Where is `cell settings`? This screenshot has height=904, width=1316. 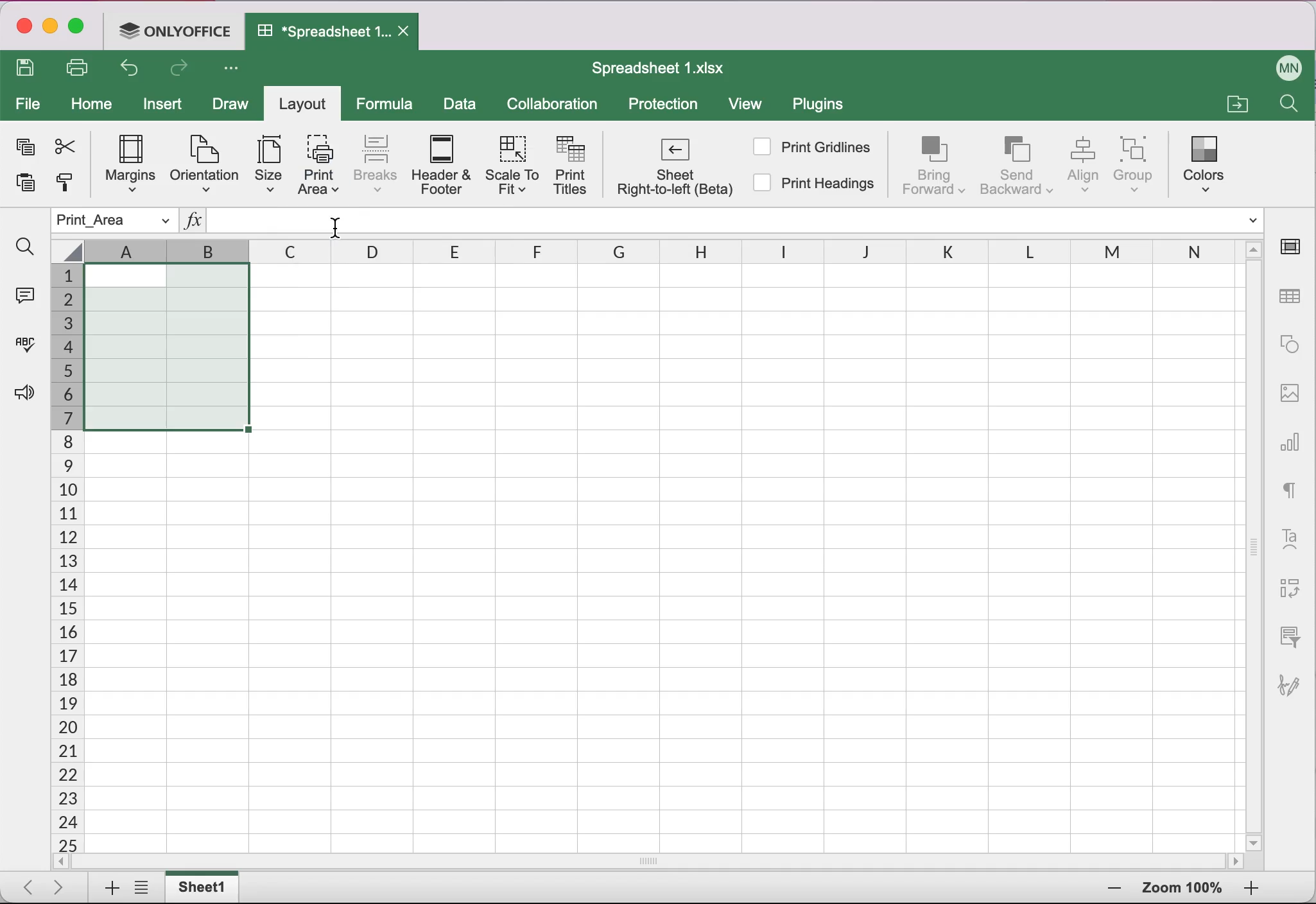 cell settings is located at coordinates (1295, 247).